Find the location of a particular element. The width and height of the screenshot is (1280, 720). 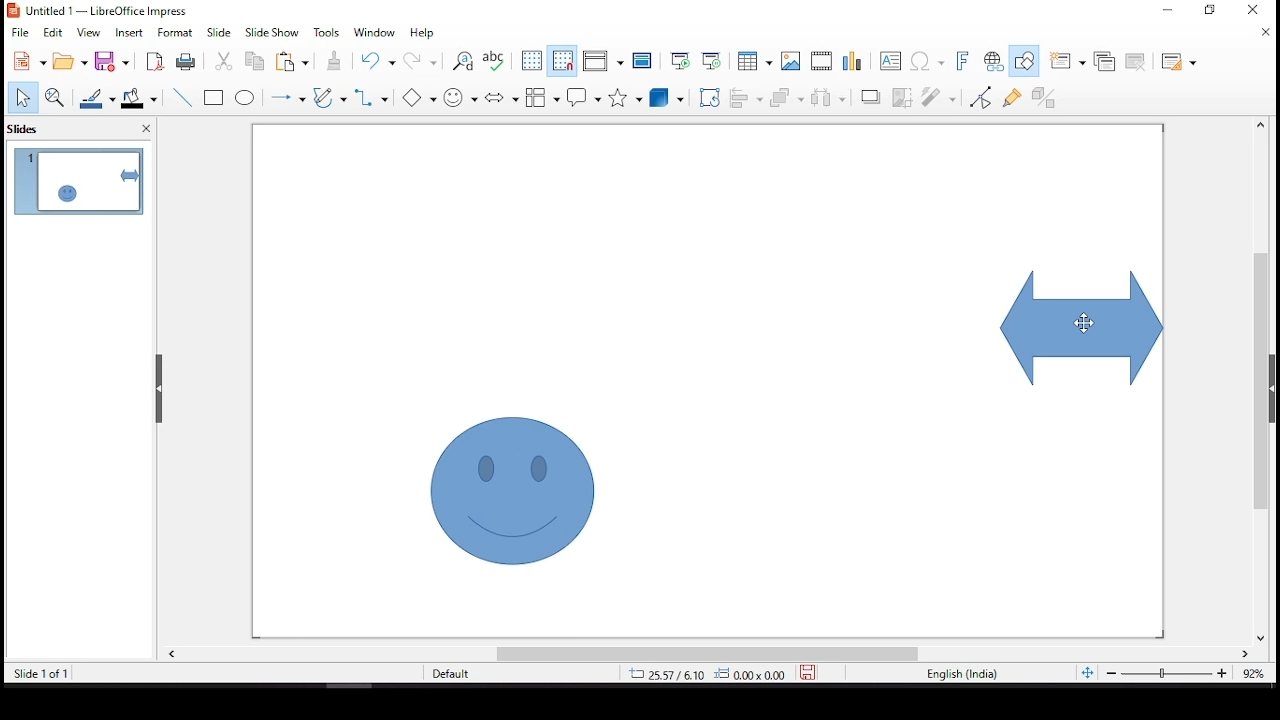

restore is located at coordinates (1215, 14).